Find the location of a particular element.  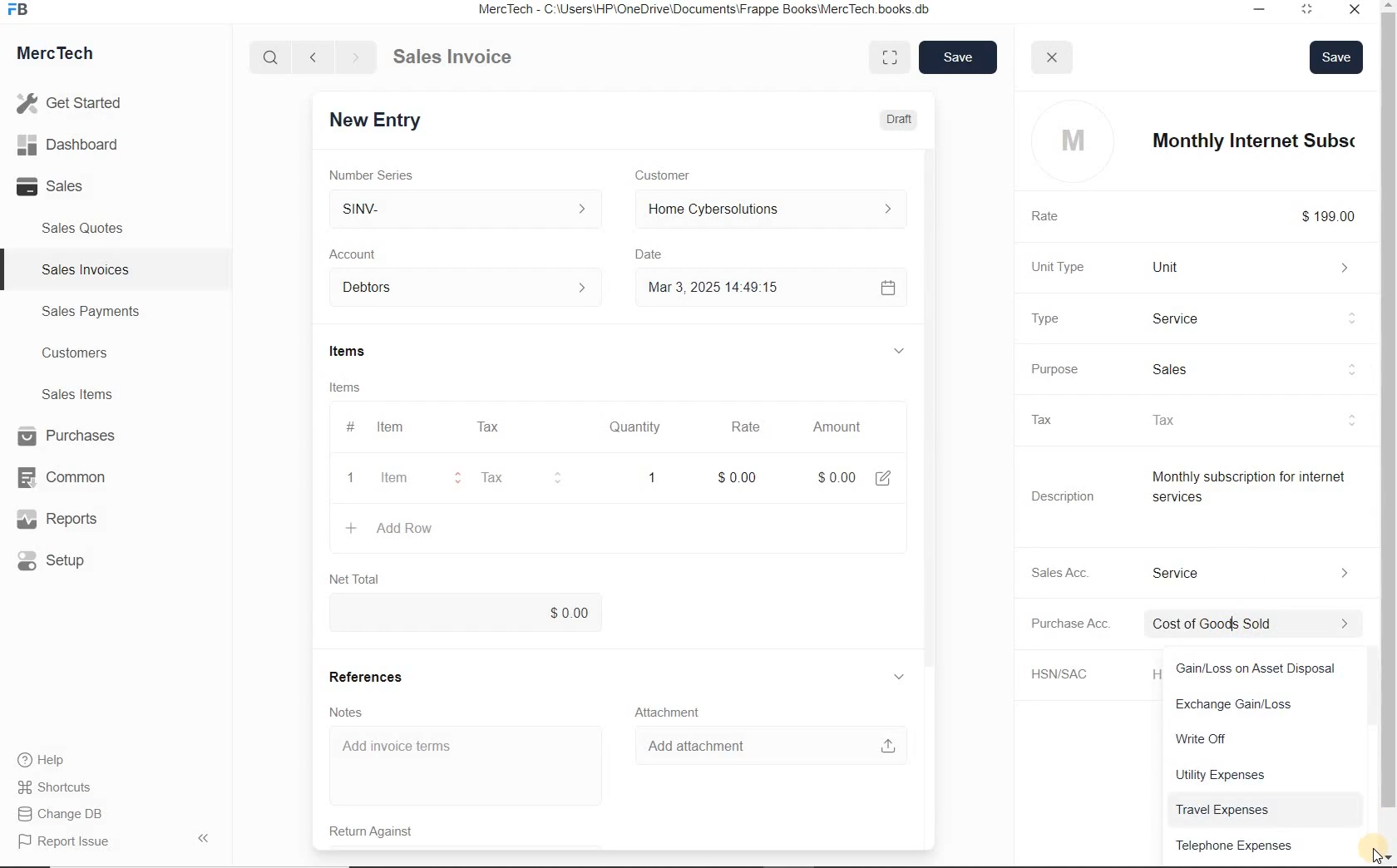

Home Cyber Solutions is located at coordinates (774, 210).